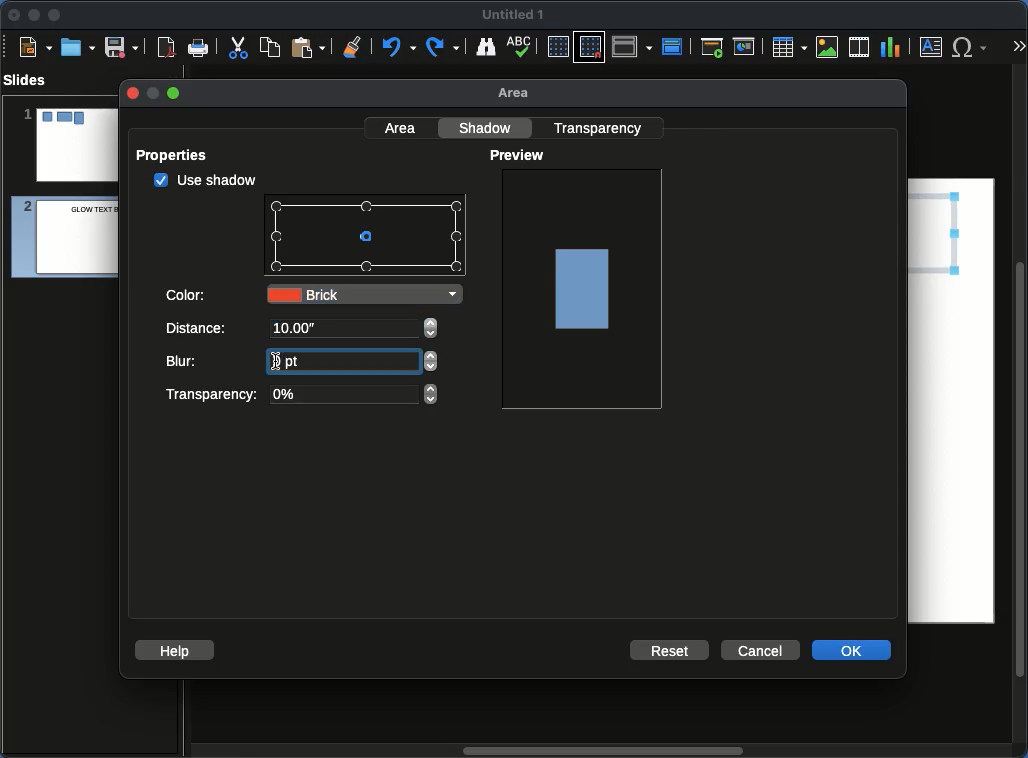 The image size is (1028, 758). I want to click on Spell check, so click(521, 48).